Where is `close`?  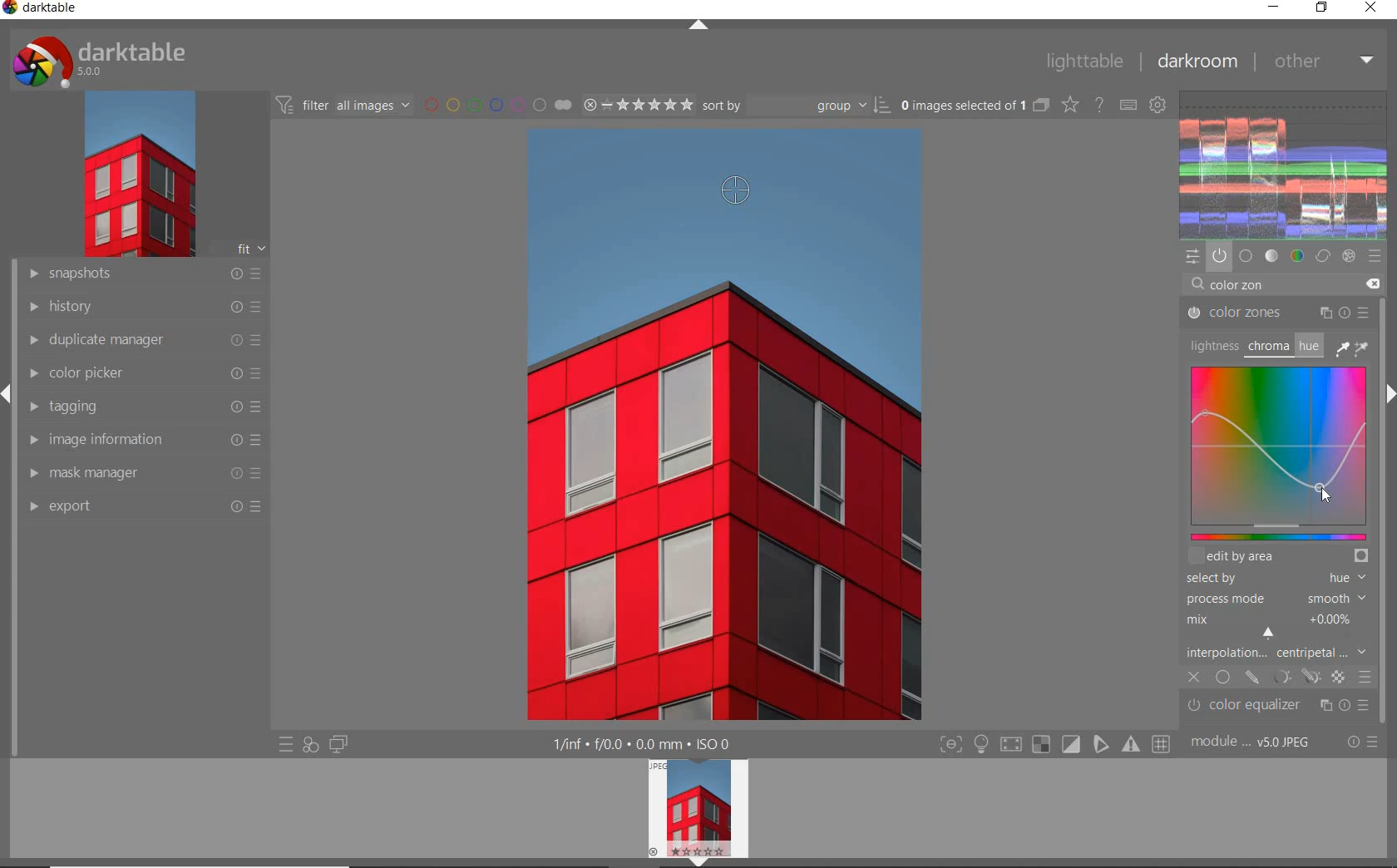 close is located at coordinates (1371, 8).